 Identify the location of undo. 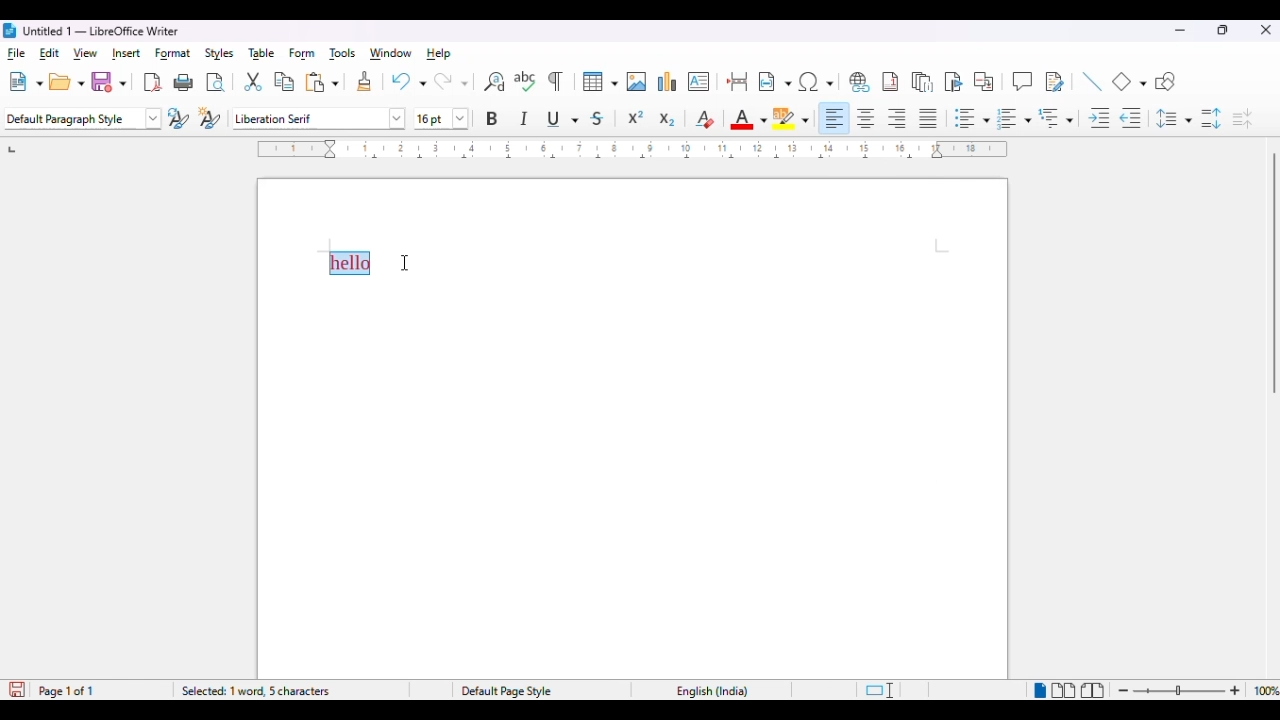
(408, 81).